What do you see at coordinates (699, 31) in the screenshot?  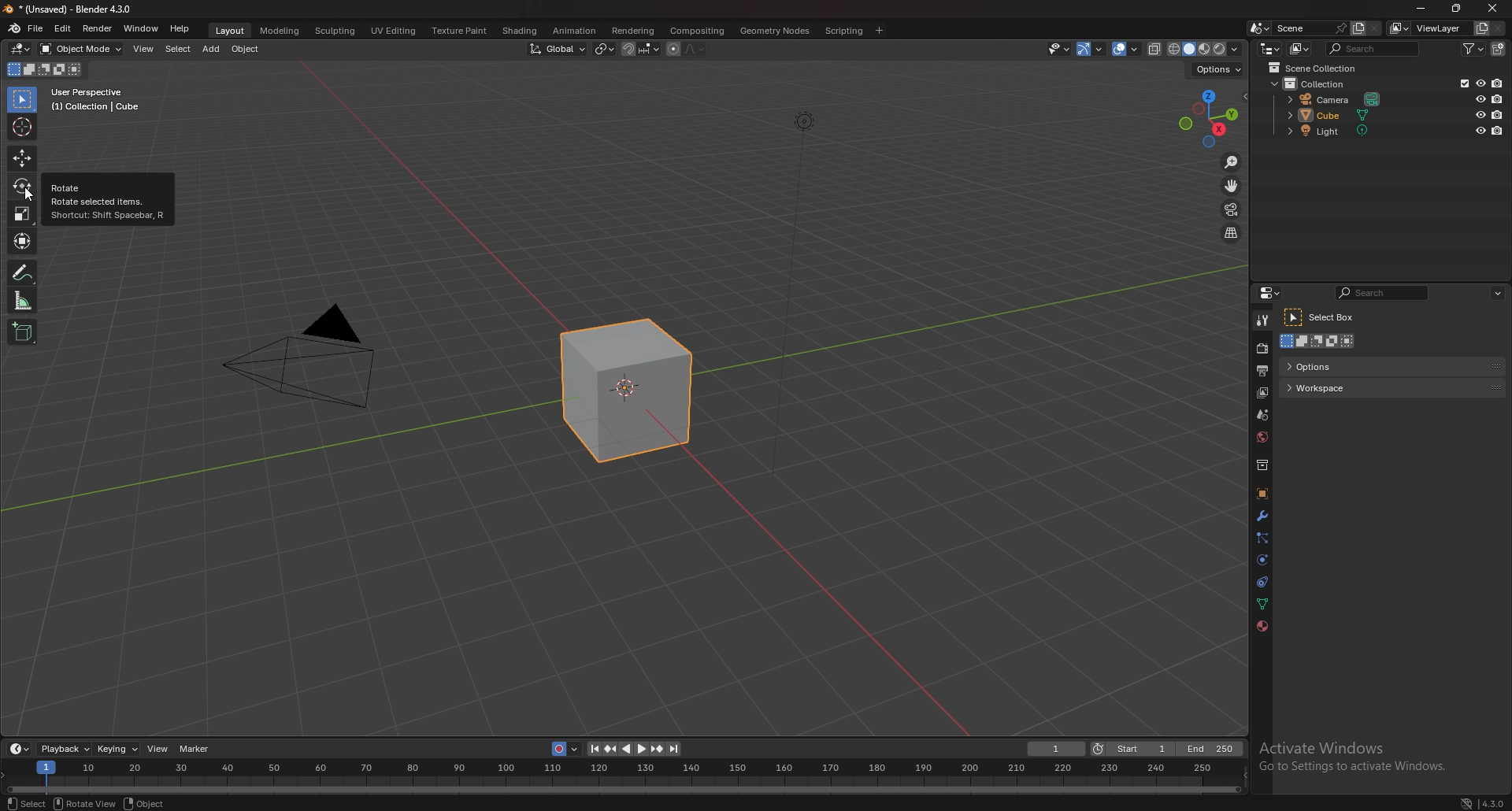 I see `compositing` at bounding box center [699, 31].